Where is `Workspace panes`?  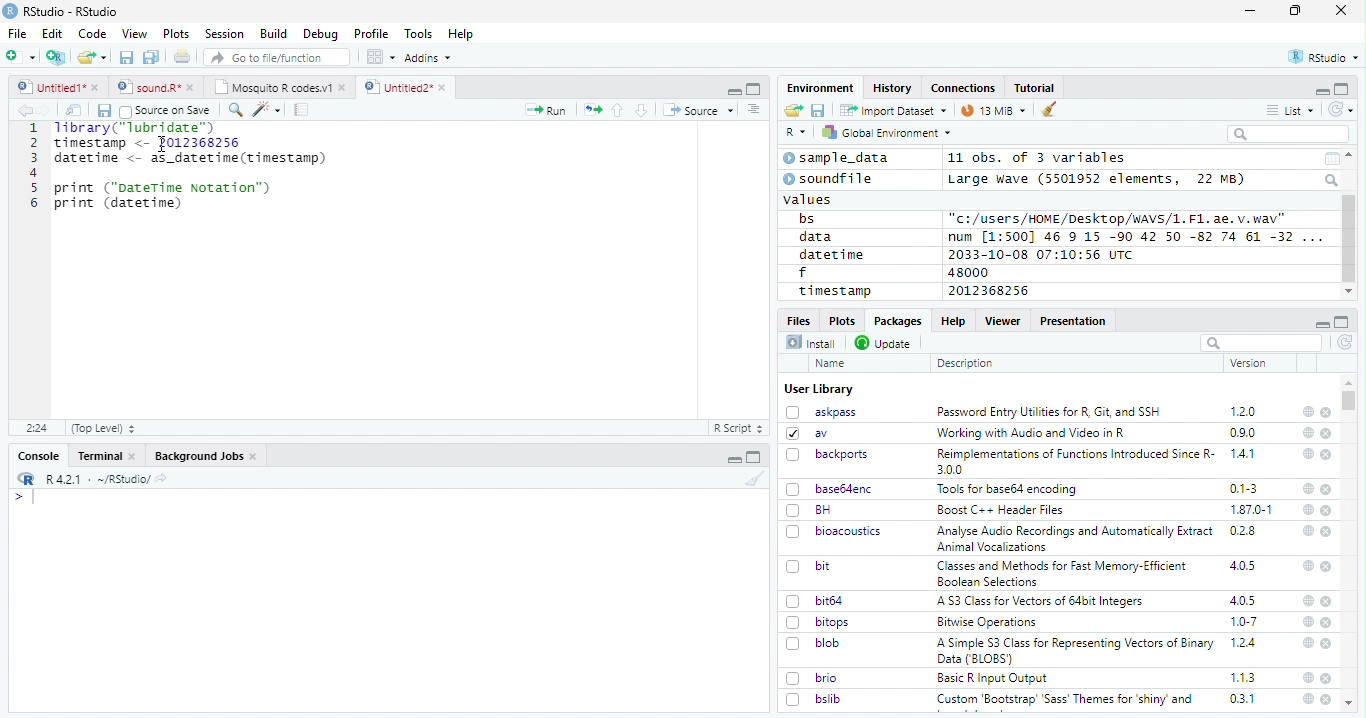
Workspace panes is located at coordinates (381, 57).